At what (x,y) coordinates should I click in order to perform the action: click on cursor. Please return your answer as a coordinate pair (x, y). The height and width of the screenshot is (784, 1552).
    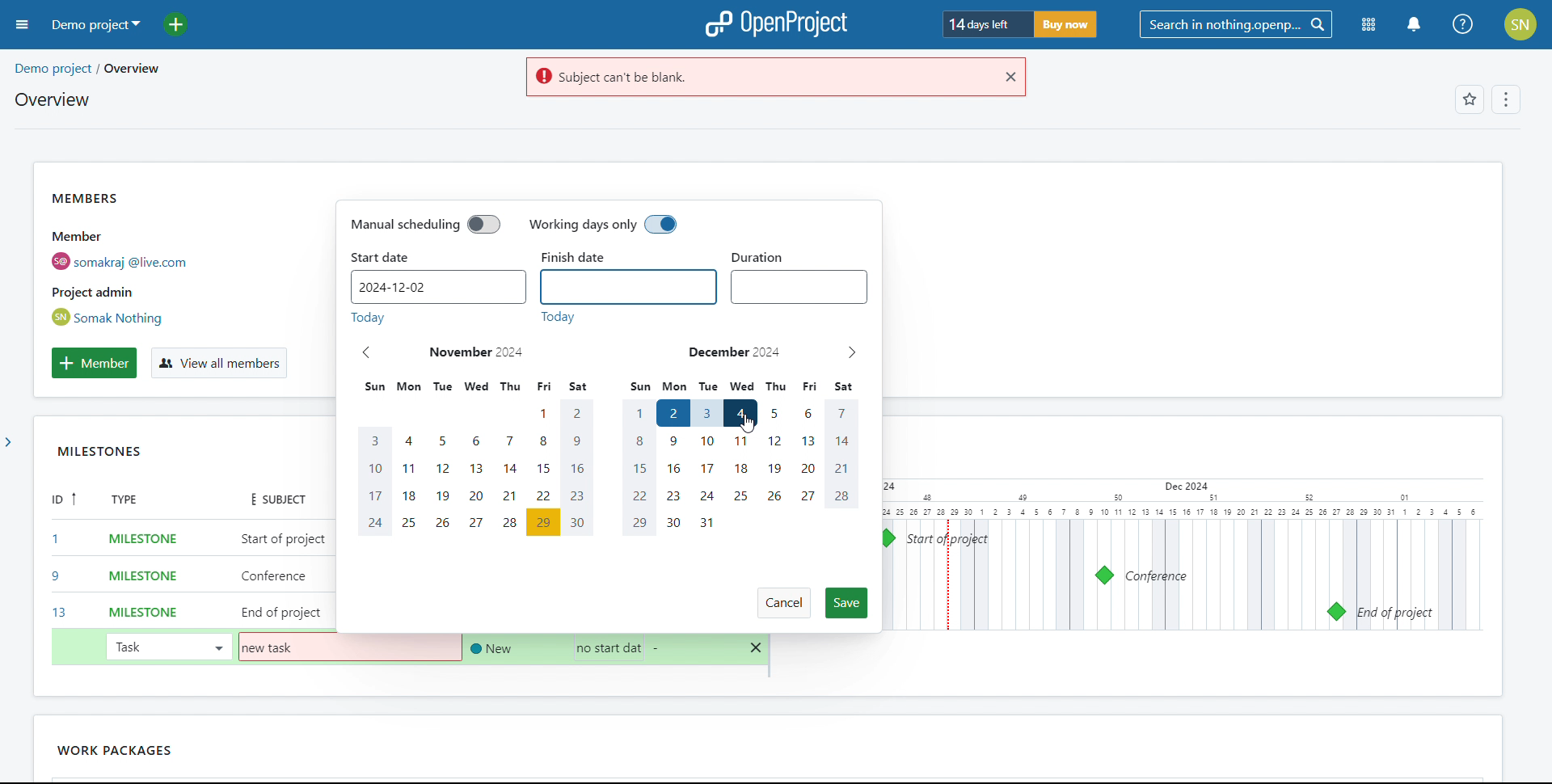
    Looking at the image, I should click on (756, 427).